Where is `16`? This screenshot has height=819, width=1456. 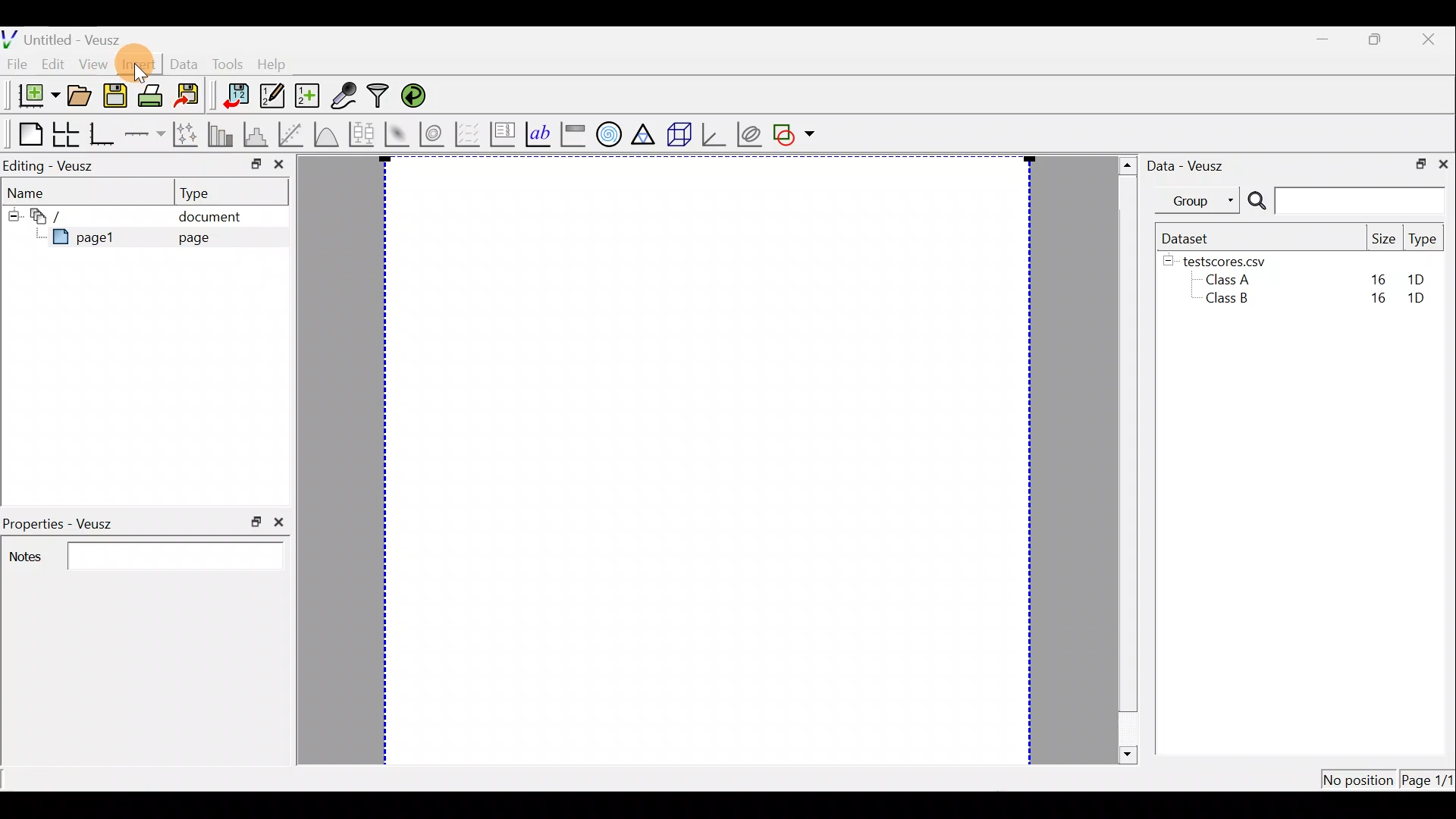
16 is located at coordinates (1378, 278).